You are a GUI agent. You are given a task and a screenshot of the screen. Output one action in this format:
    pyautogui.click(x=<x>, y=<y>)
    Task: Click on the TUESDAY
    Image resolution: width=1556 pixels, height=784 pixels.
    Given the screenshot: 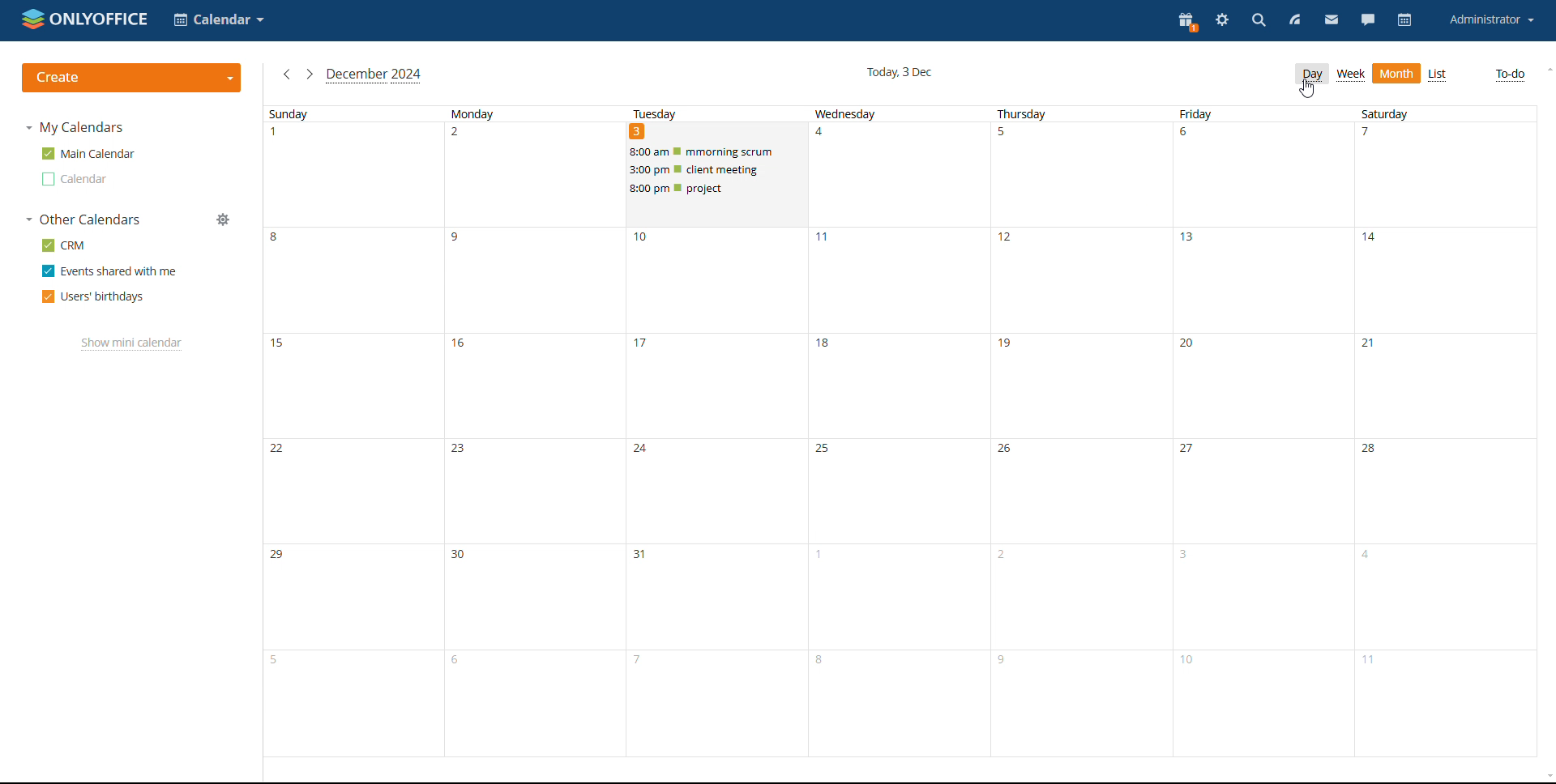 What is the action you would take?
    pyautogui.click(x=714, y=113)
    